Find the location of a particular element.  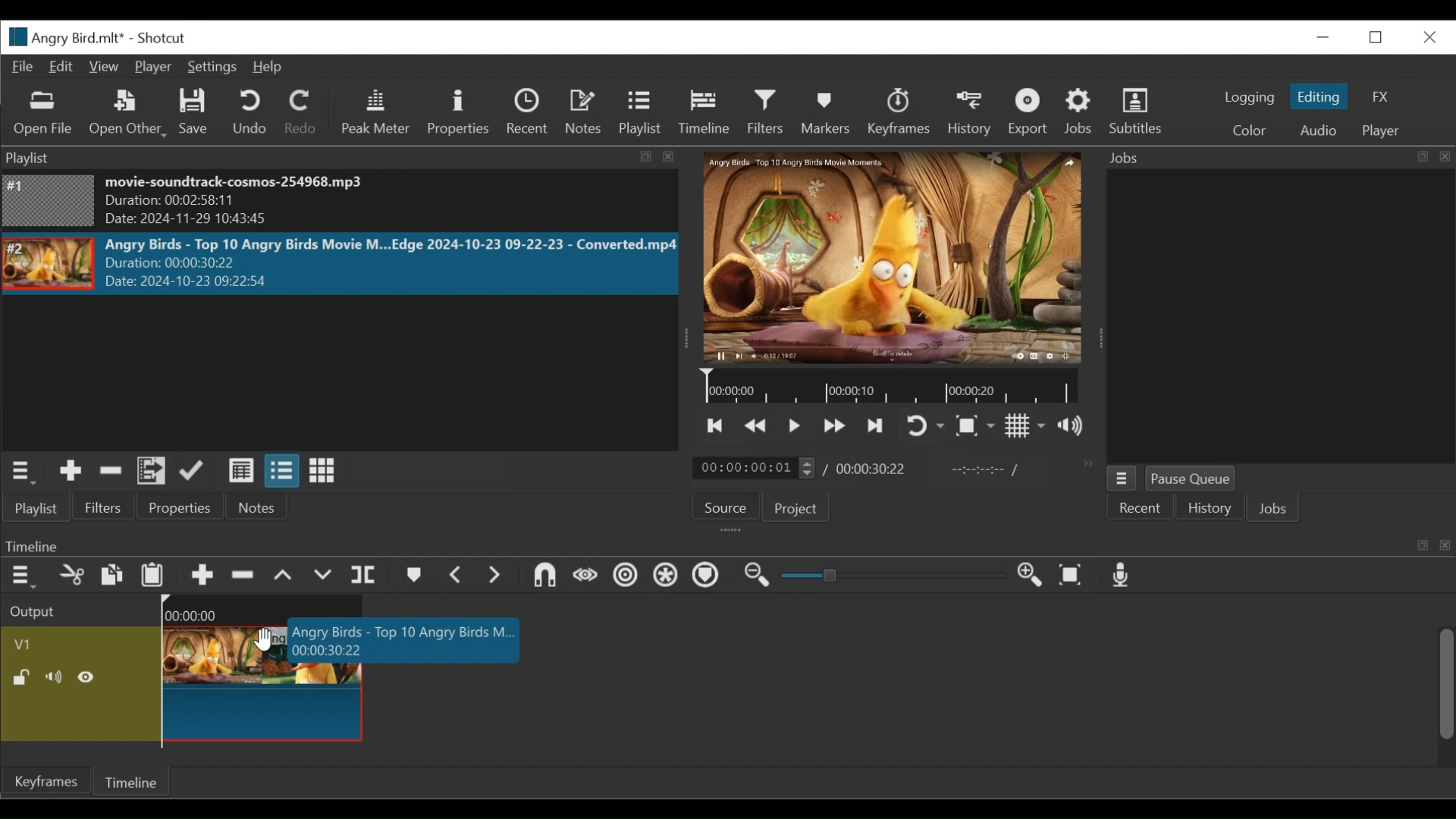

Timeline is located at coordinates (703, 112).